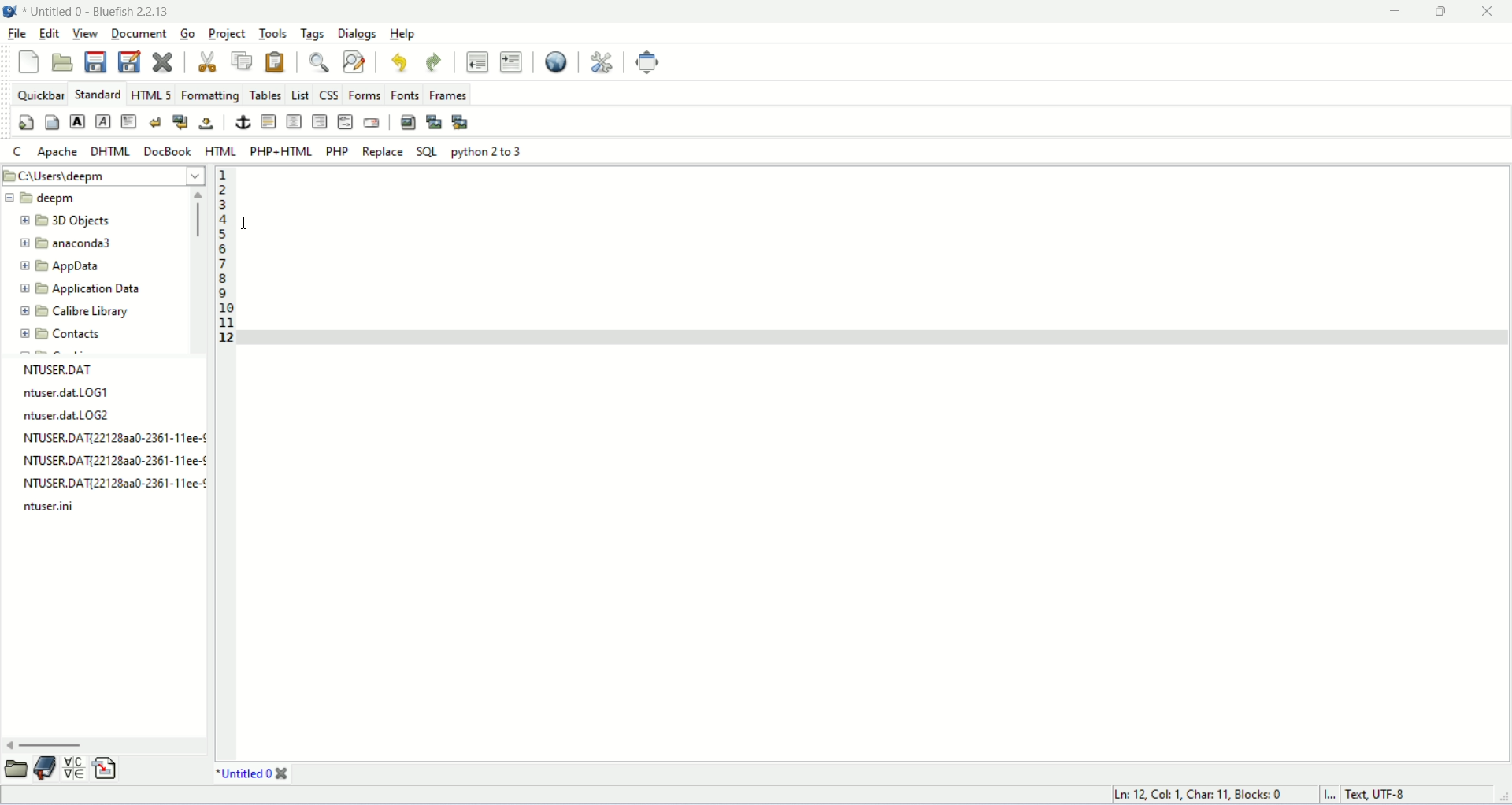 The height and width of the screenshot is (805, 1512). What do you see at coordinates (429, 152) in the screenshot?
I see `SQL` at bounding box center [429, 152].